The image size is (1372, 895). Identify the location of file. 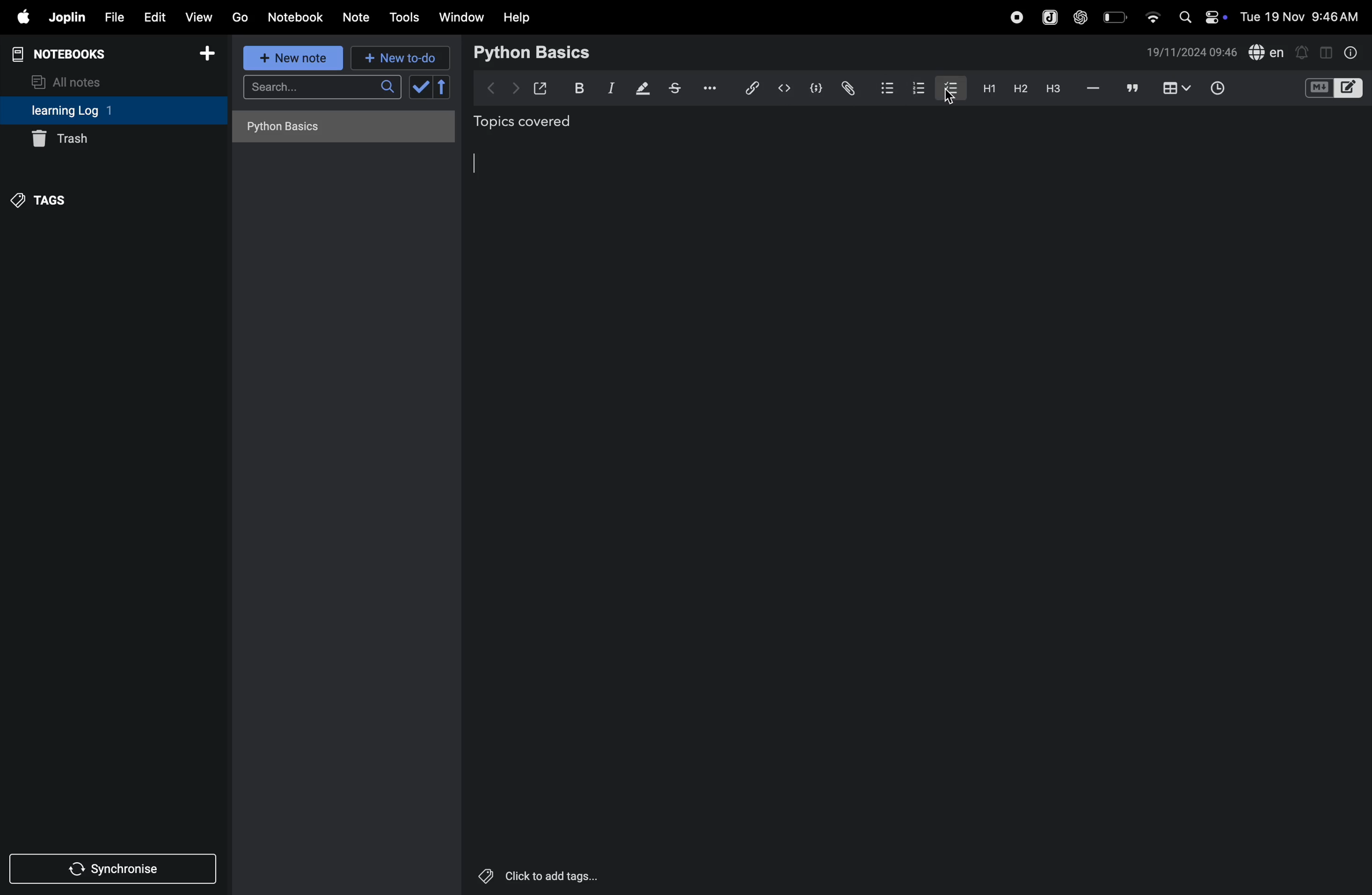
(112, 18).